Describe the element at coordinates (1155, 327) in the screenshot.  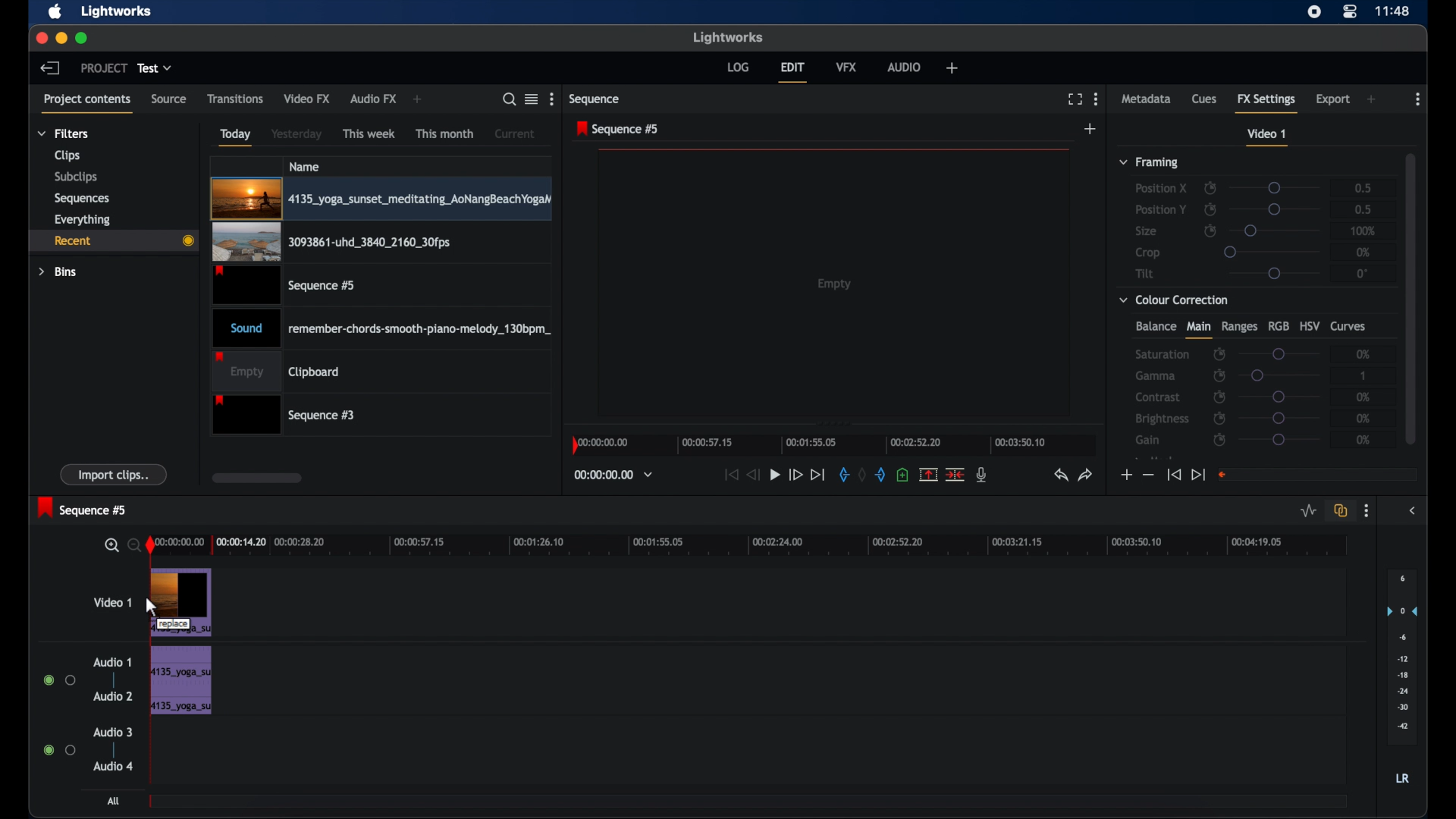
I see `balance` at that location.